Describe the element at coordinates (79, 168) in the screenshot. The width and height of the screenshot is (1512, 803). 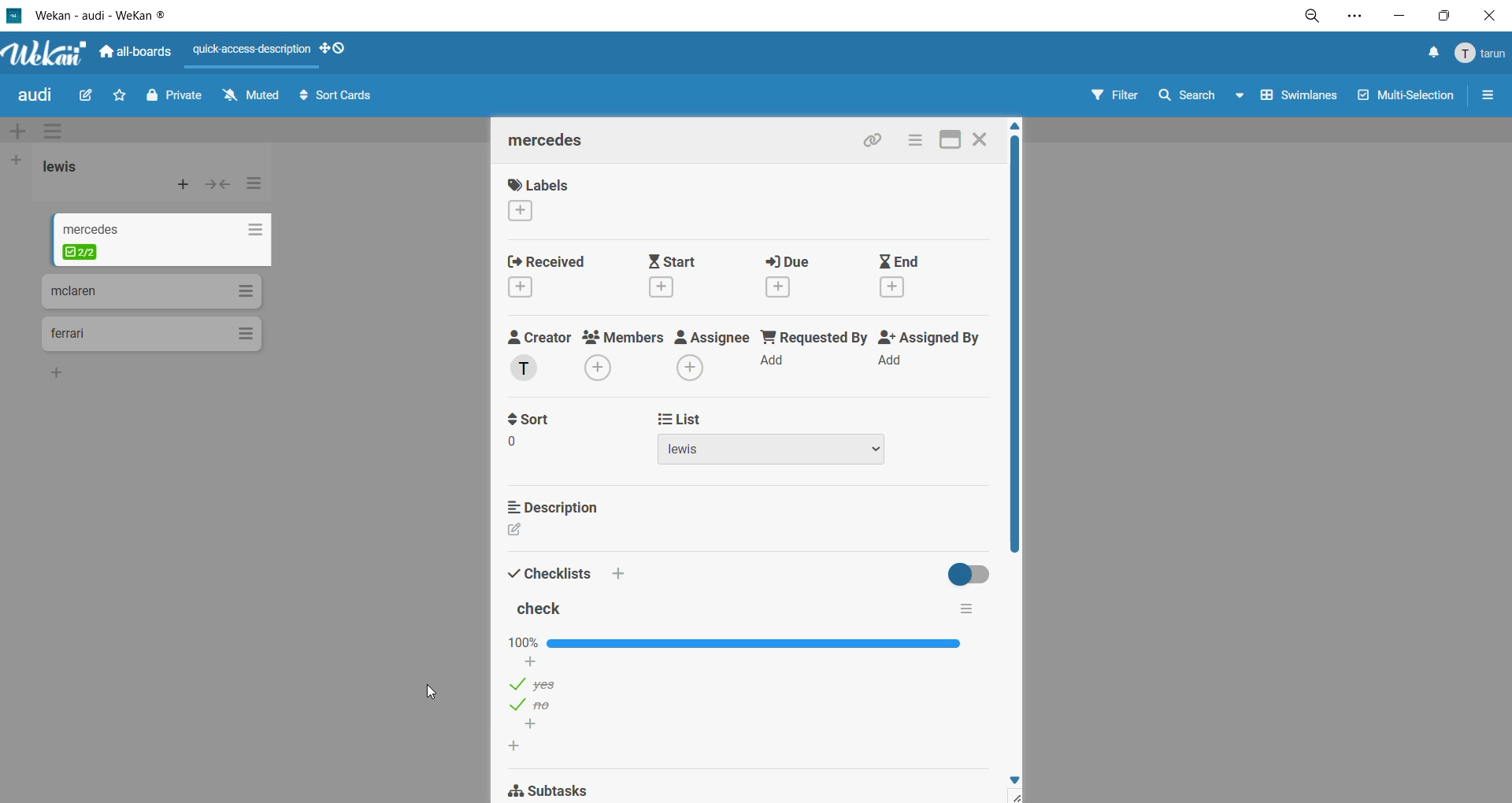
I see `list title` at that location.